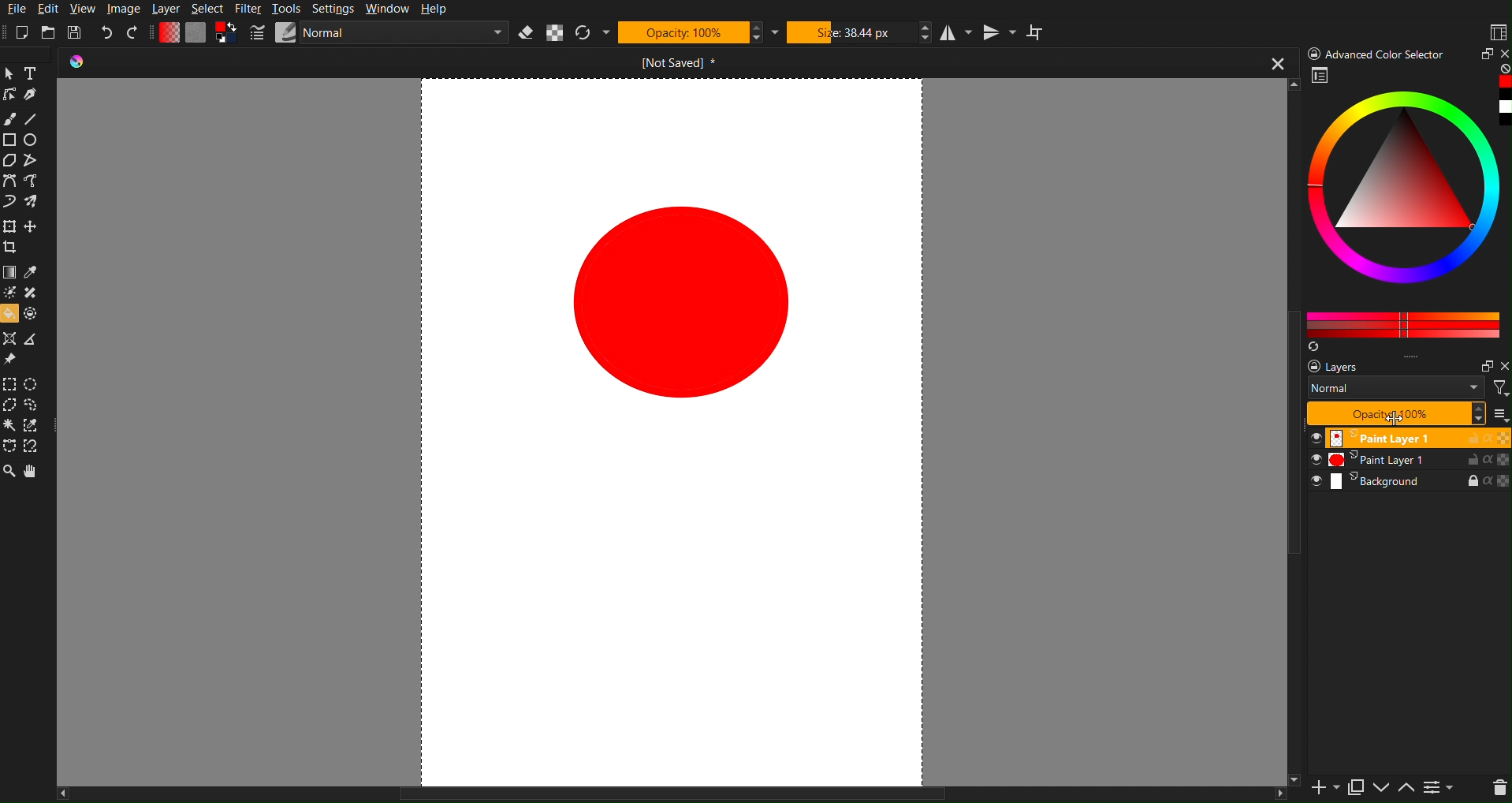 This screenshot has height=803, width=1512. What do you see at coordinates (1393, 390) in the screenshot?
I see `Normal` at bounding box center [1393, 390].